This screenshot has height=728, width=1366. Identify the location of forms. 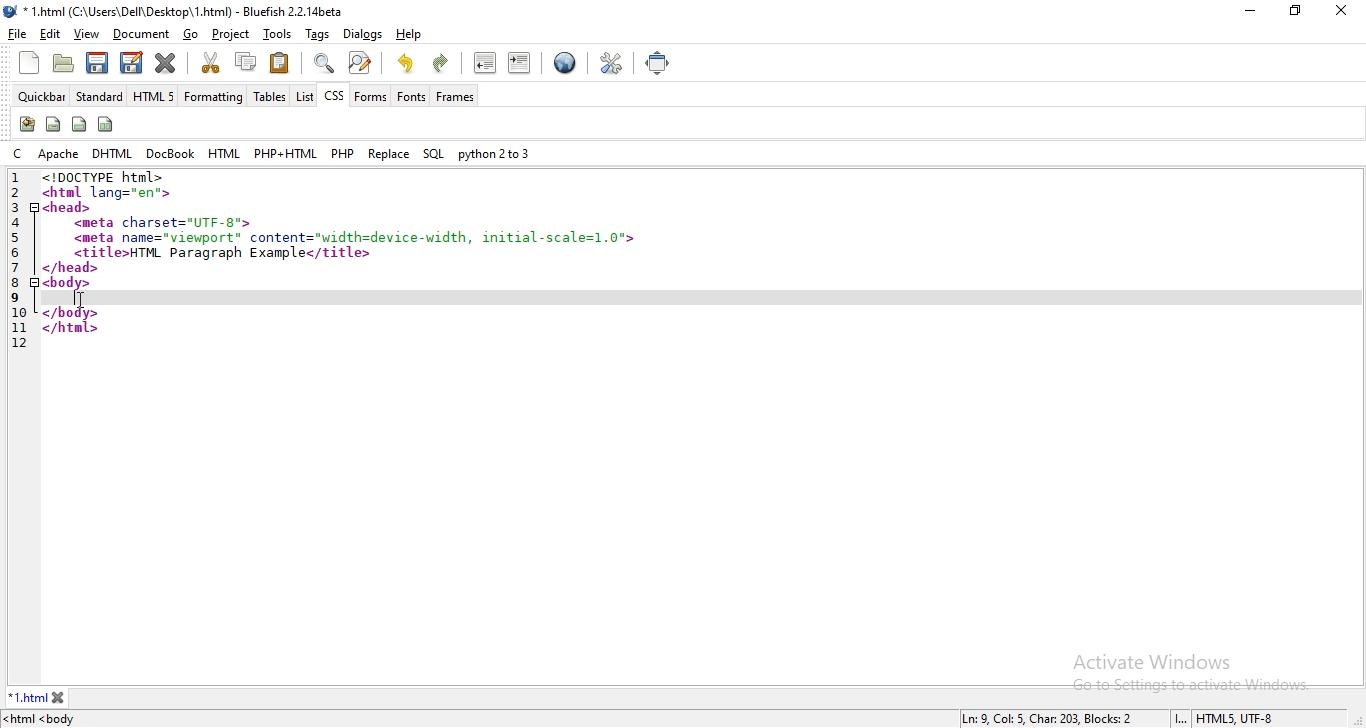
(370, 96).